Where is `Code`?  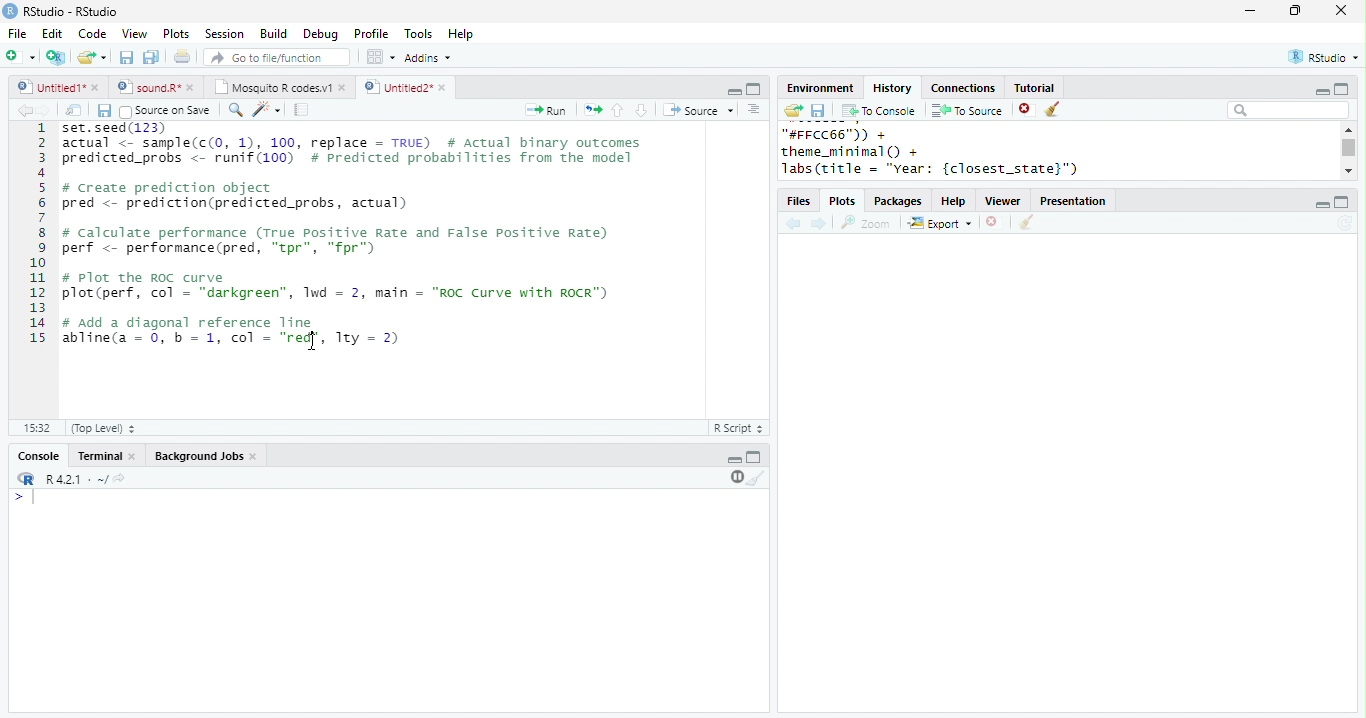 Code is located at coordinates (92, 33).